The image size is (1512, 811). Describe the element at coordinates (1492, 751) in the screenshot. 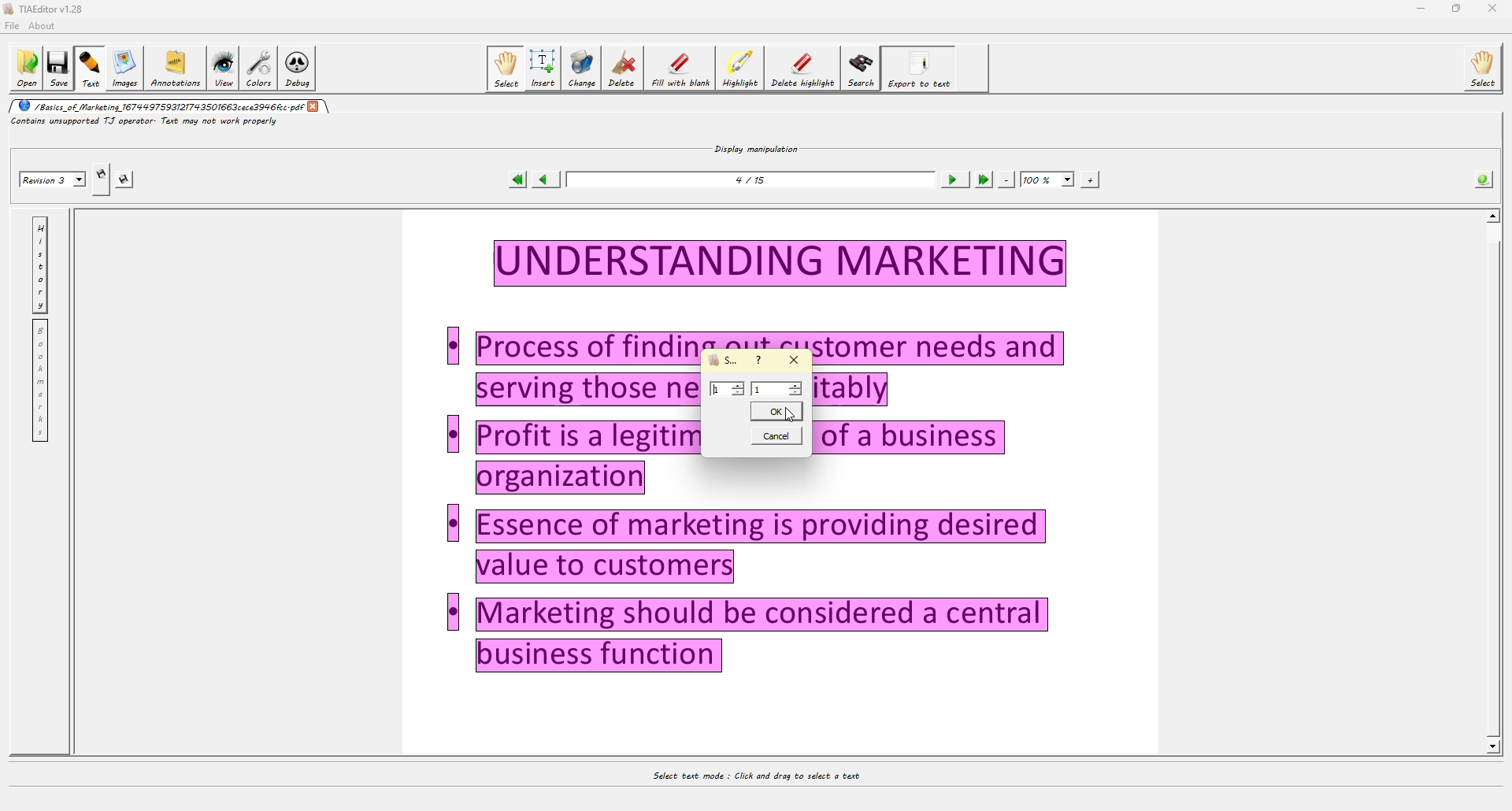

I see `` at that location.